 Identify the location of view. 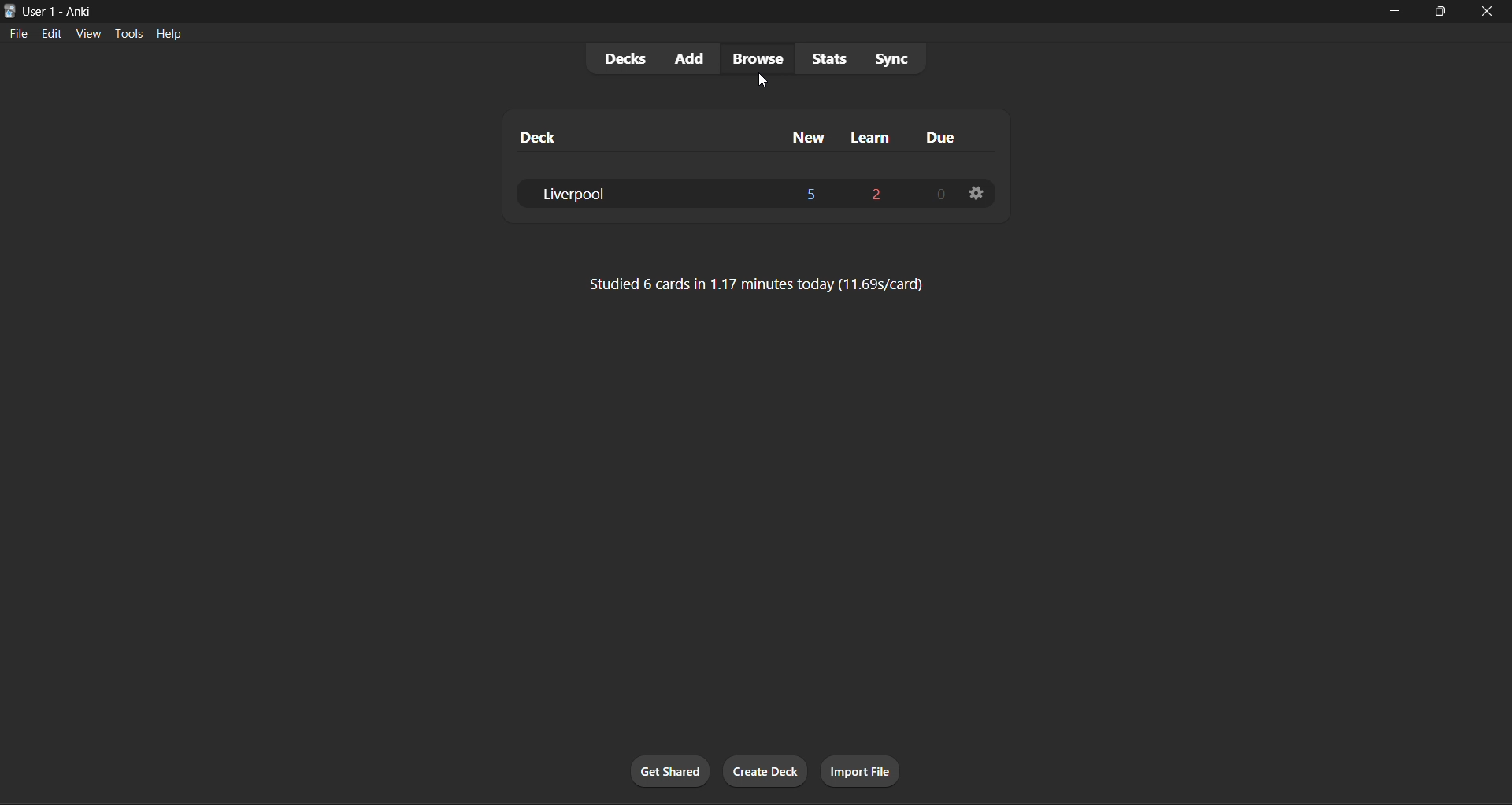
(89, 32).